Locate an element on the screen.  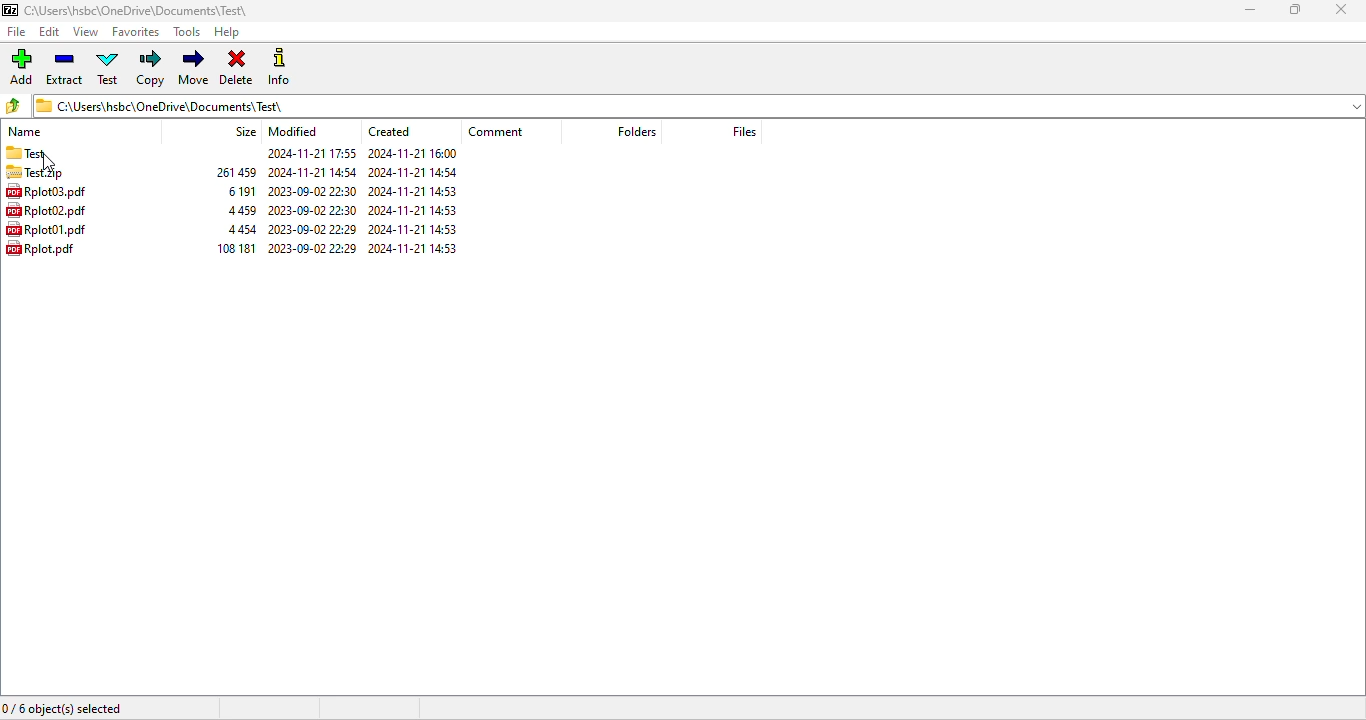
edit is located at coordinates (50, 32).